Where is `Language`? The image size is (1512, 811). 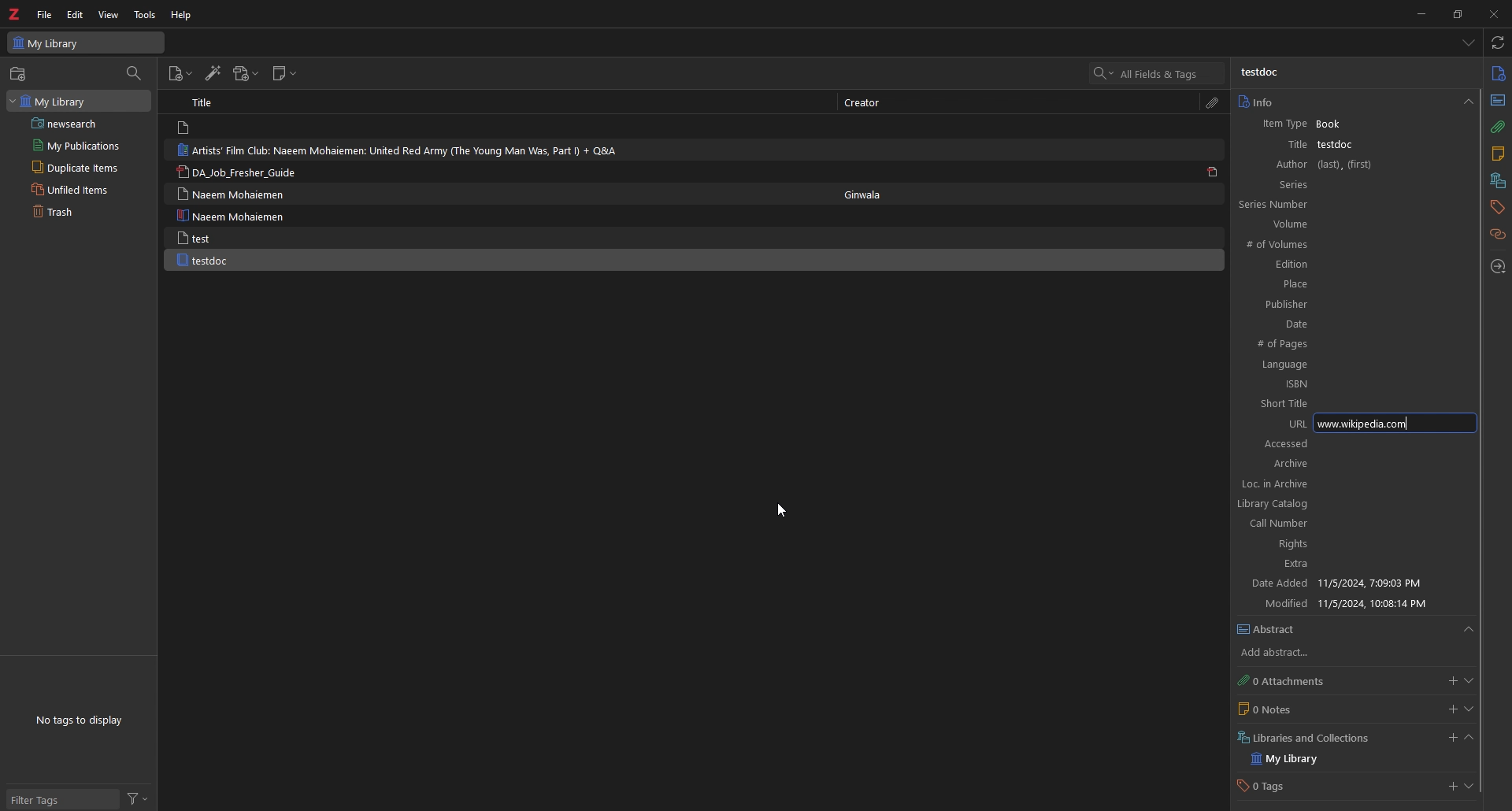
Language is located at coordinates (1336, 365).